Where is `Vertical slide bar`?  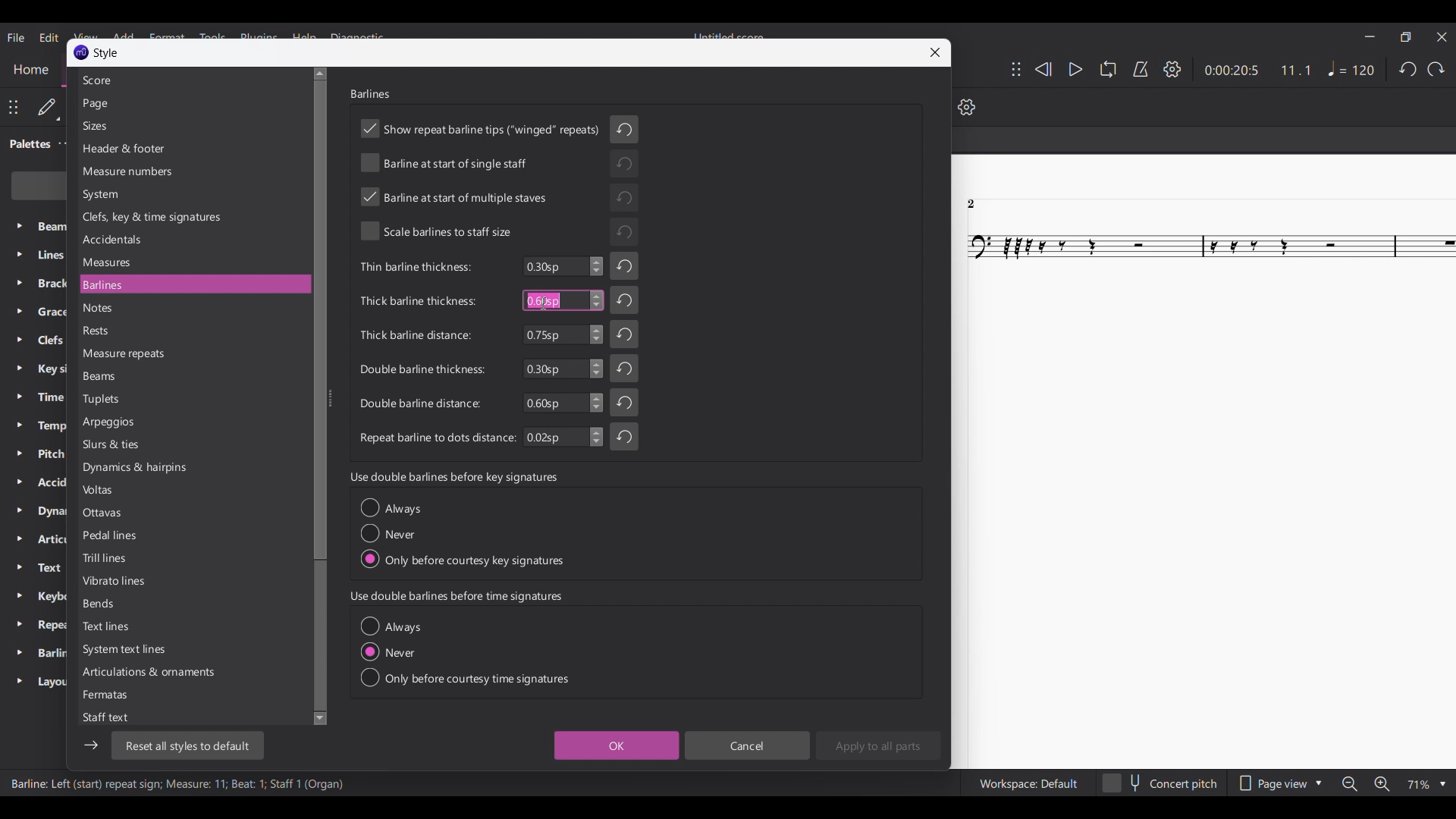 Vertical slide bar is located at coordinates (318, 396).